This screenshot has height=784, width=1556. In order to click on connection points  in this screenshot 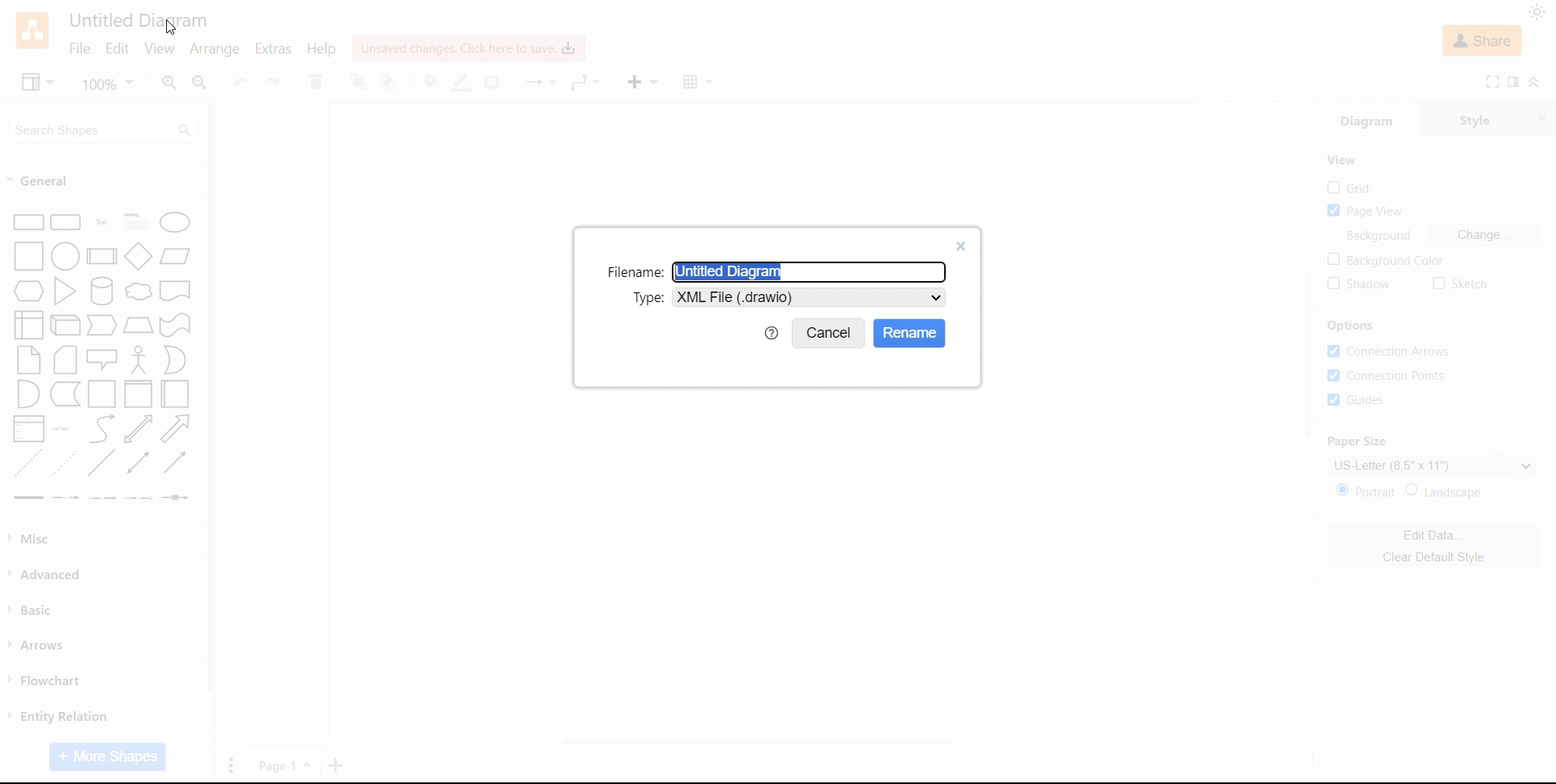, I will do `click(1390, 377)`.